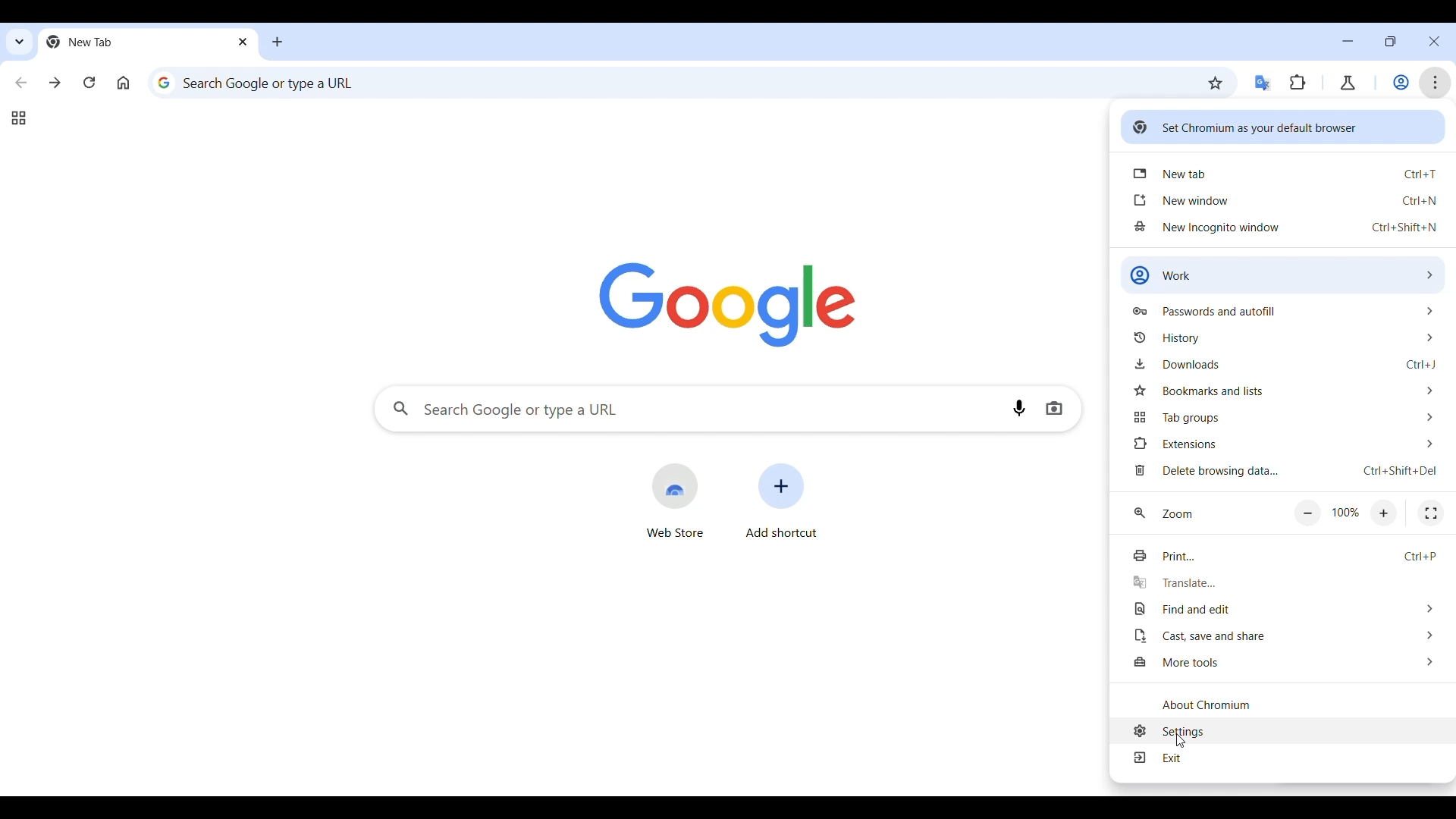 The height and width of the screenshot is (819, 1456). What do you see at coordinates (1285, 705) in the screenshot?
I see `About Chromium` at bounding box center [1285, 705].